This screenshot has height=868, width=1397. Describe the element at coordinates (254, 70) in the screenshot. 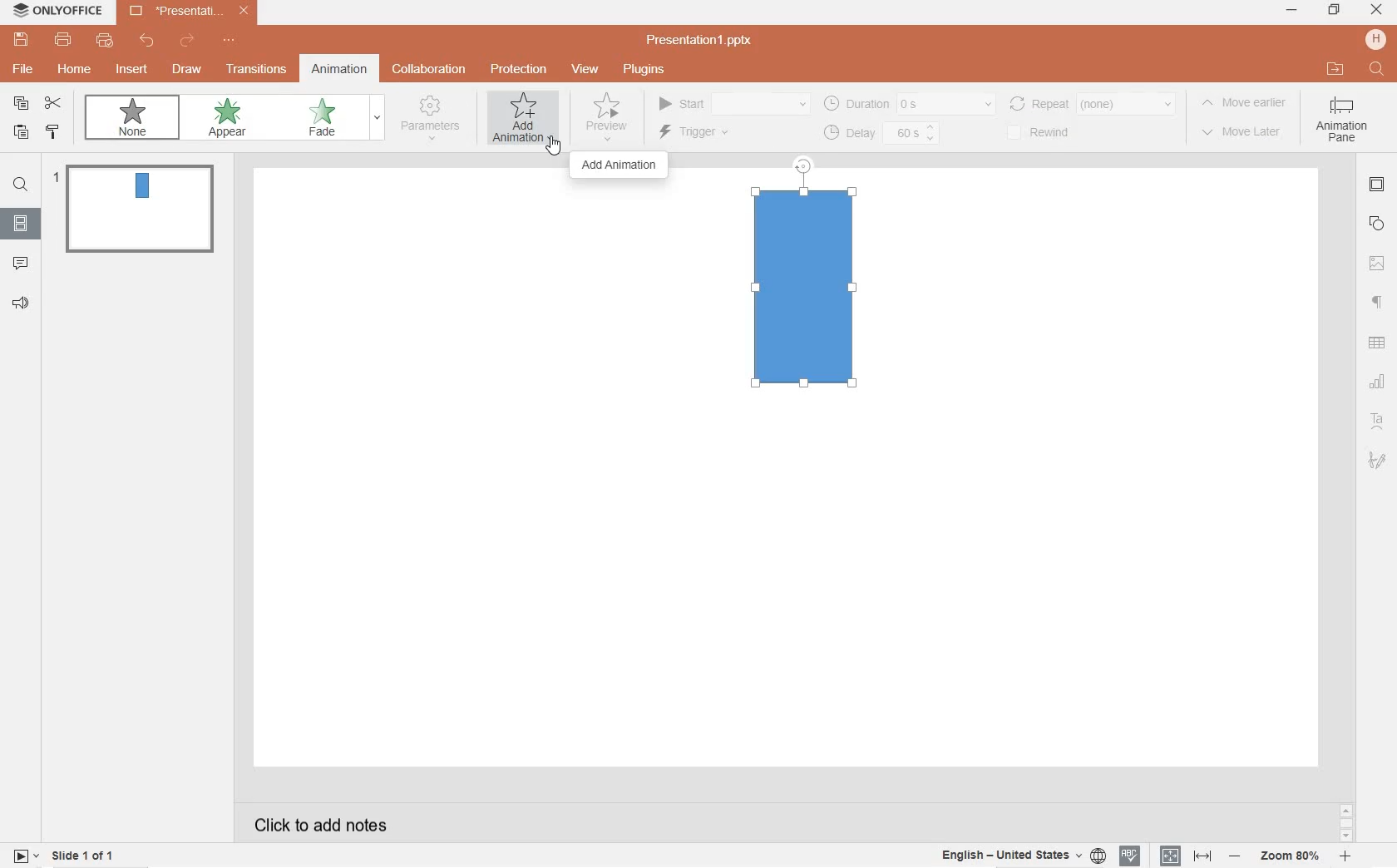

I see `transitions` at that location.